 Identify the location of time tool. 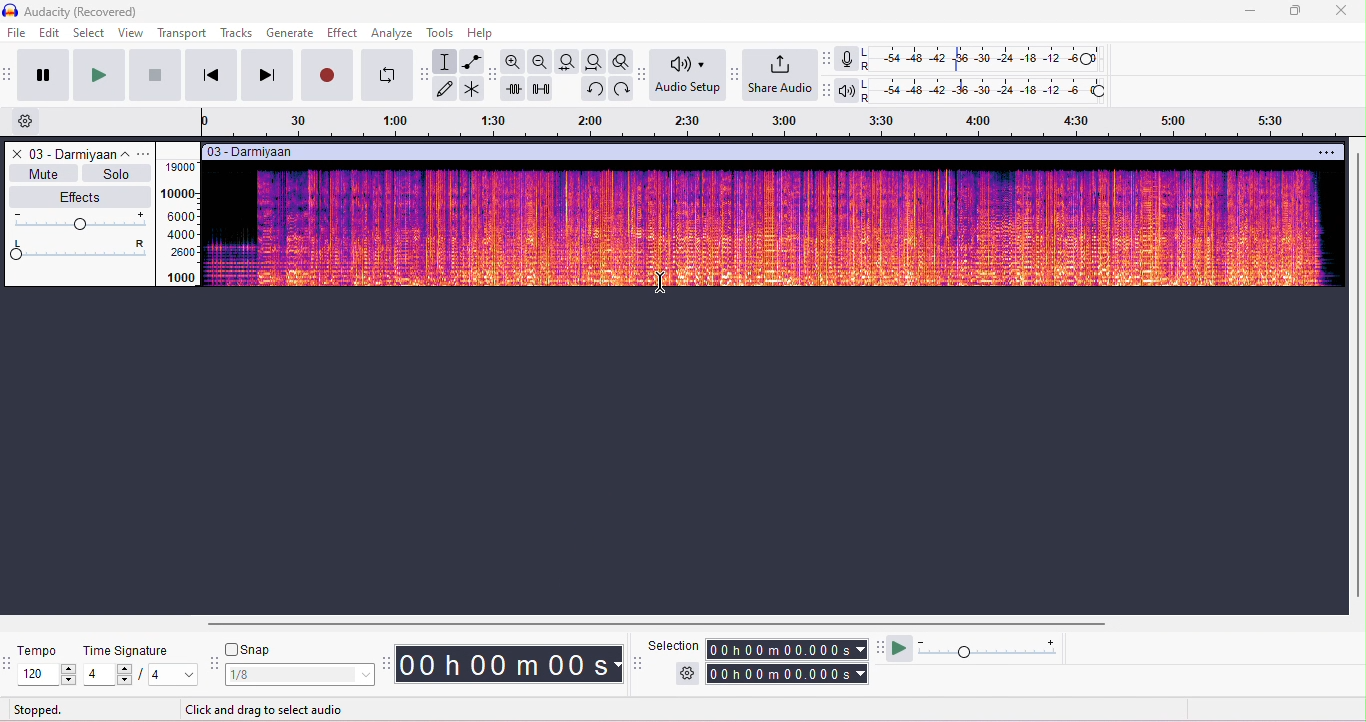
(386, 662).